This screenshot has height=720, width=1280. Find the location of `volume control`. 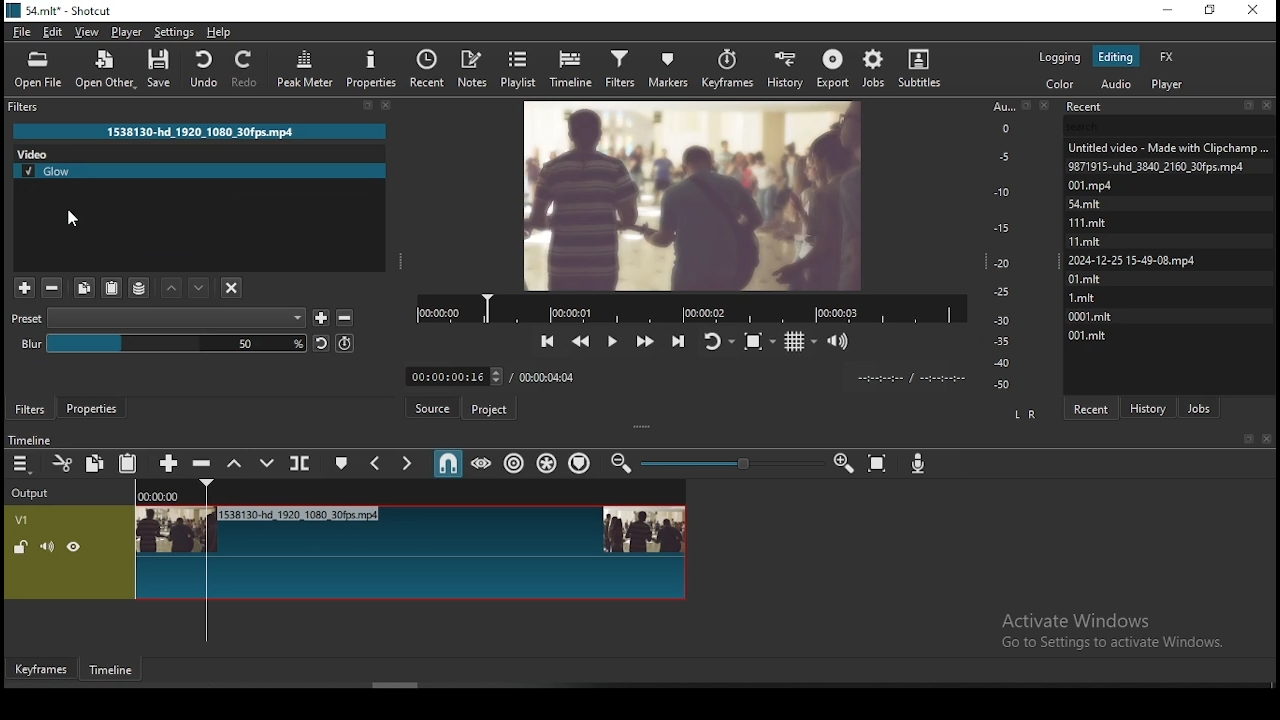

volume control is located at coordinates (840, 340).